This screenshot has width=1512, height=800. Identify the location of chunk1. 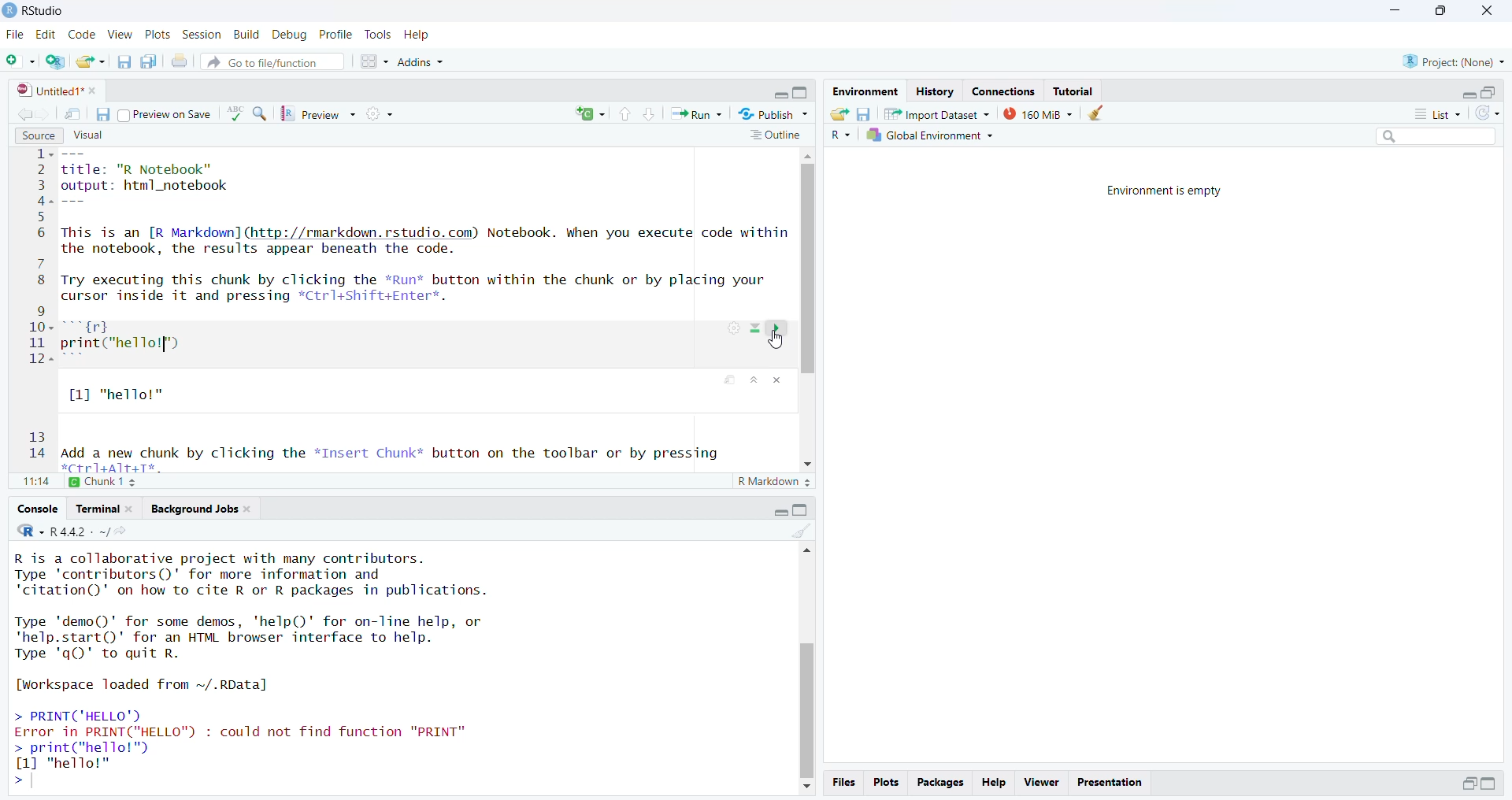
(112, 482).